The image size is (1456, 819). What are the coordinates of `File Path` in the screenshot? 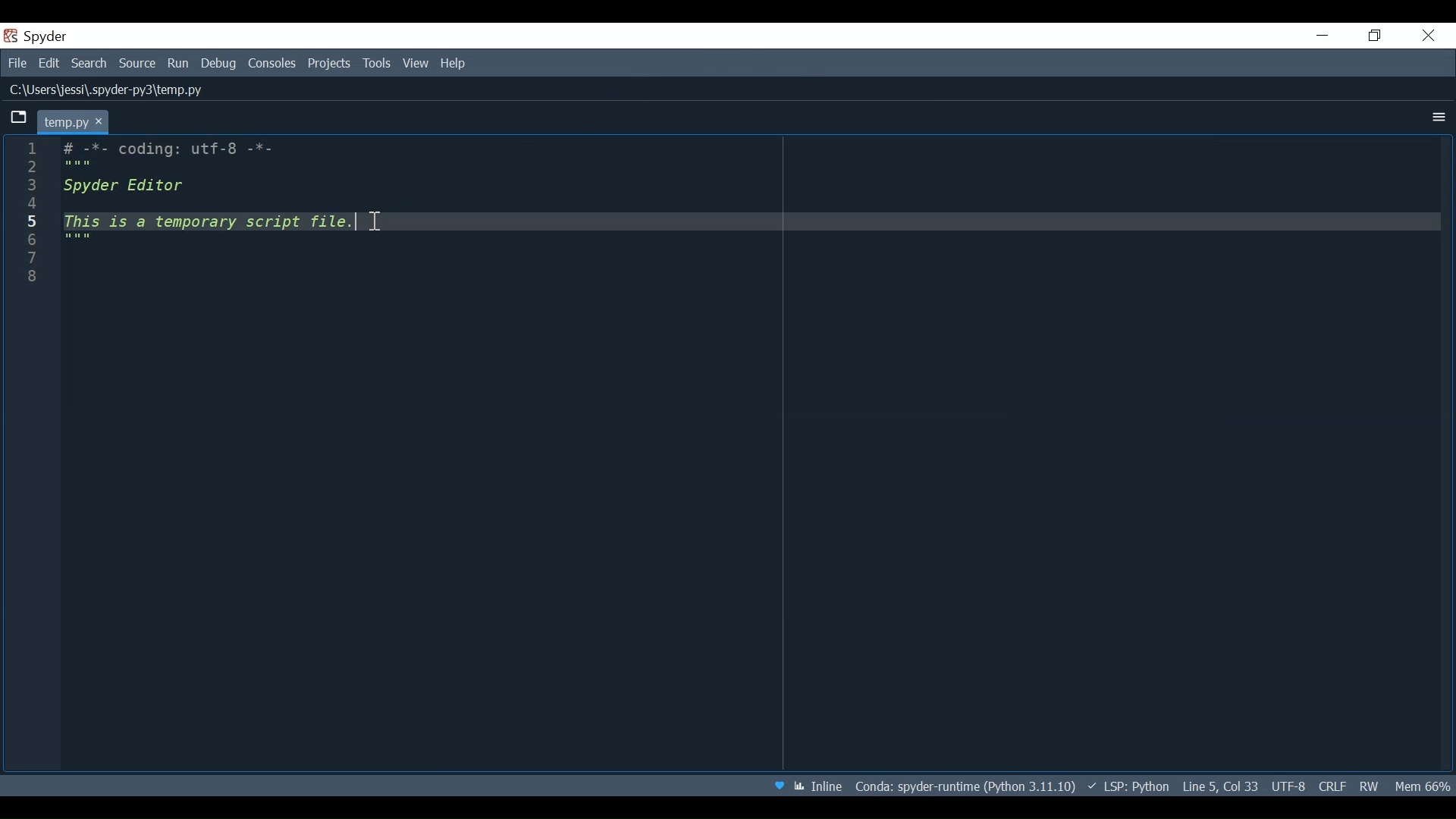 It's located at (108, 90).